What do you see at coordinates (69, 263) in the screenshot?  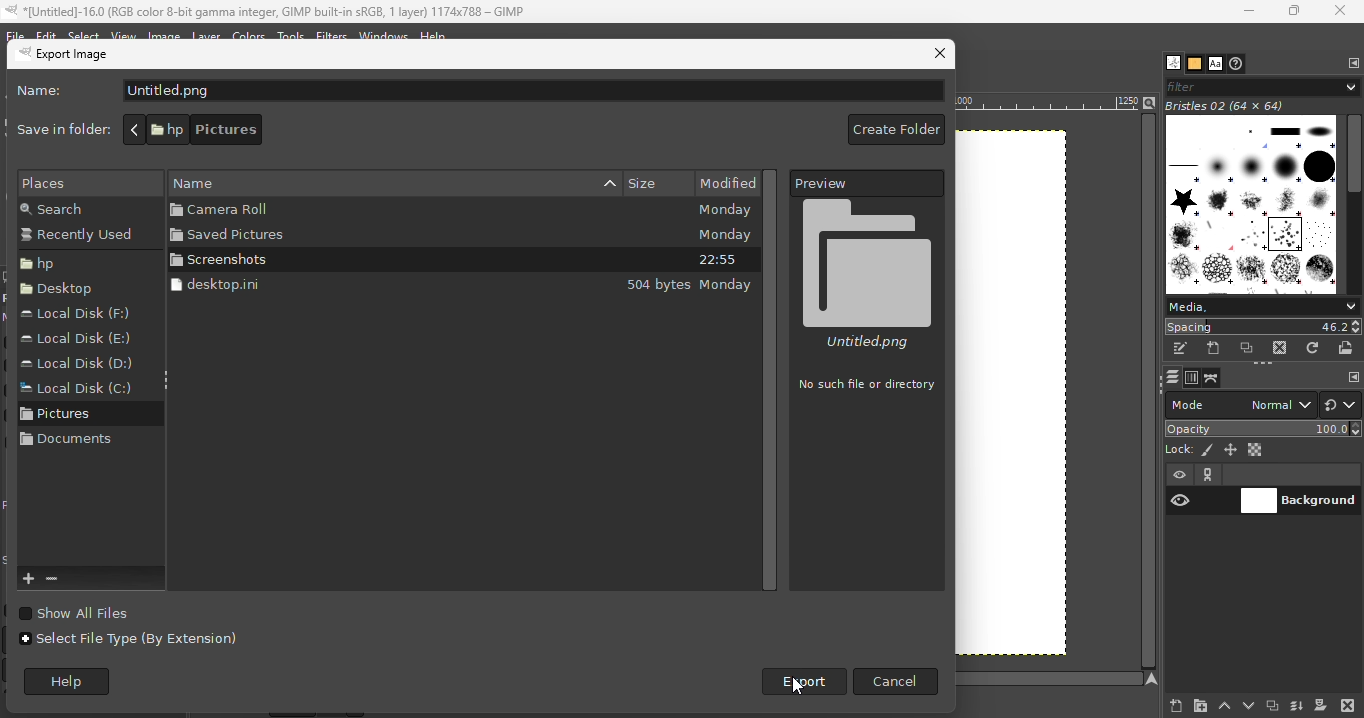 I see `Hp` at bounding box center [69, 263].